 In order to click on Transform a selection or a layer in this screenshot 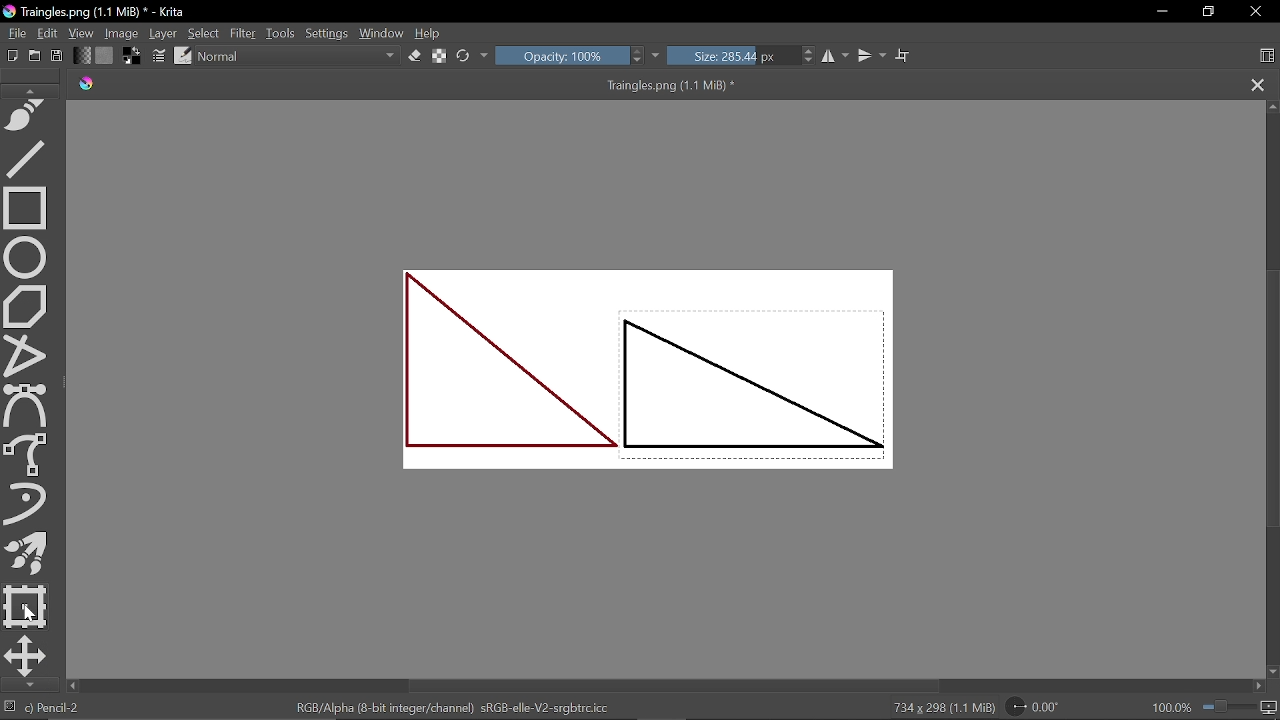, I will do `click(27, 606)`.